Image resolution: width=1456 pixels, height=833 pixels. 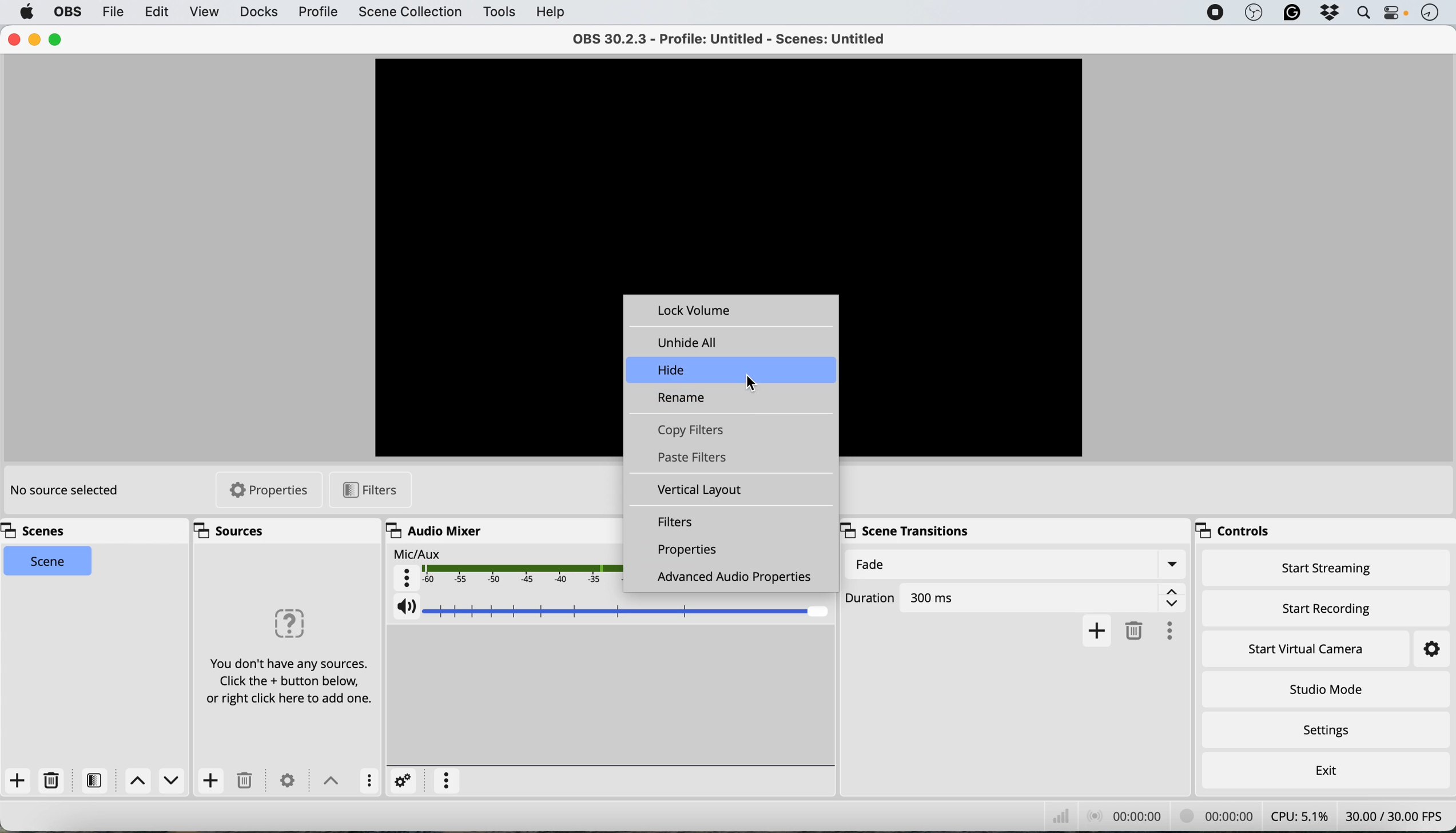 I want to click on settings, so click(x=1431, y=650).